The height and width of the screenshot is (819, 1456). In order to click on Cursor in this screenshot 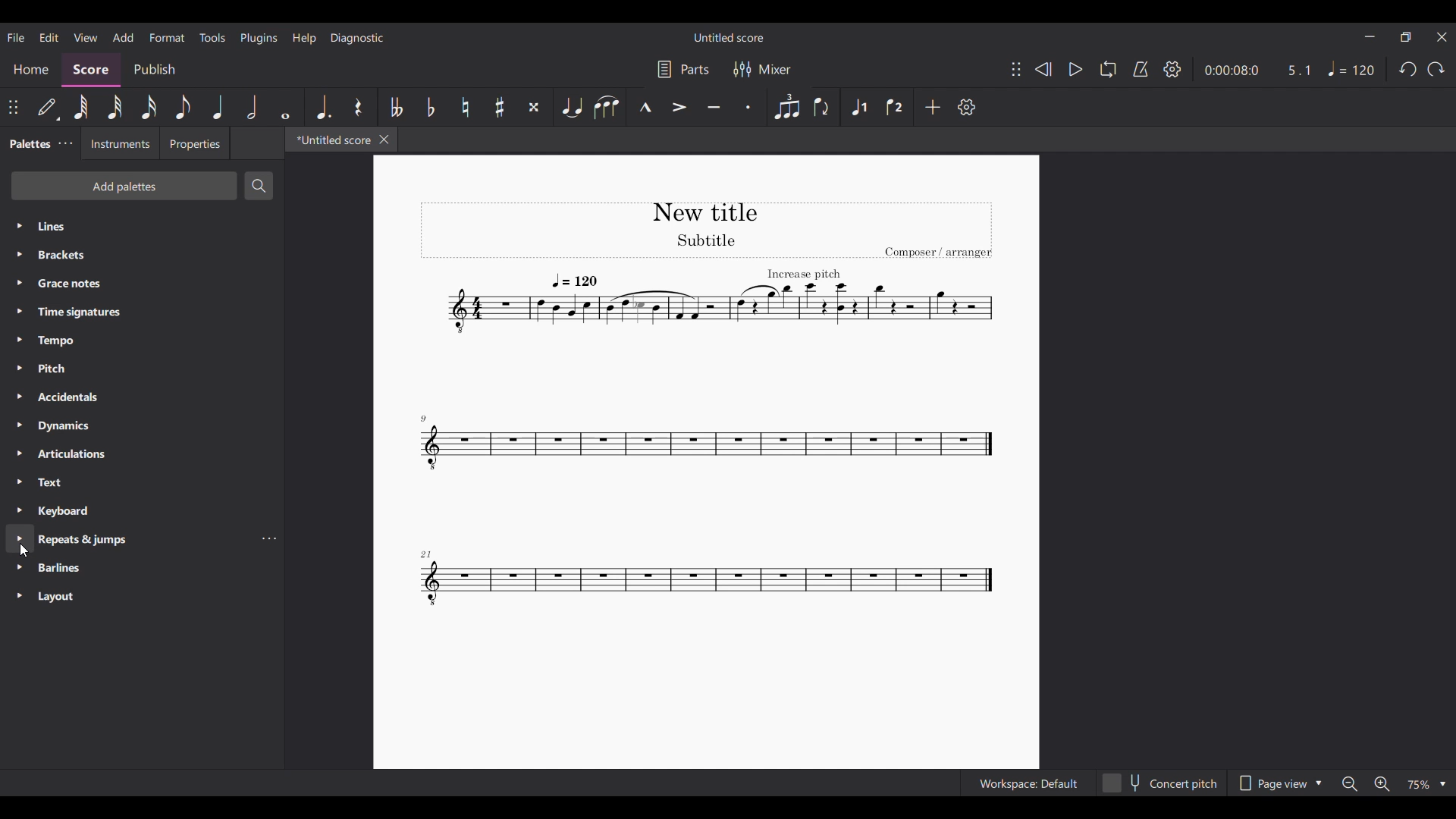, I will do `click(24, 551)`.